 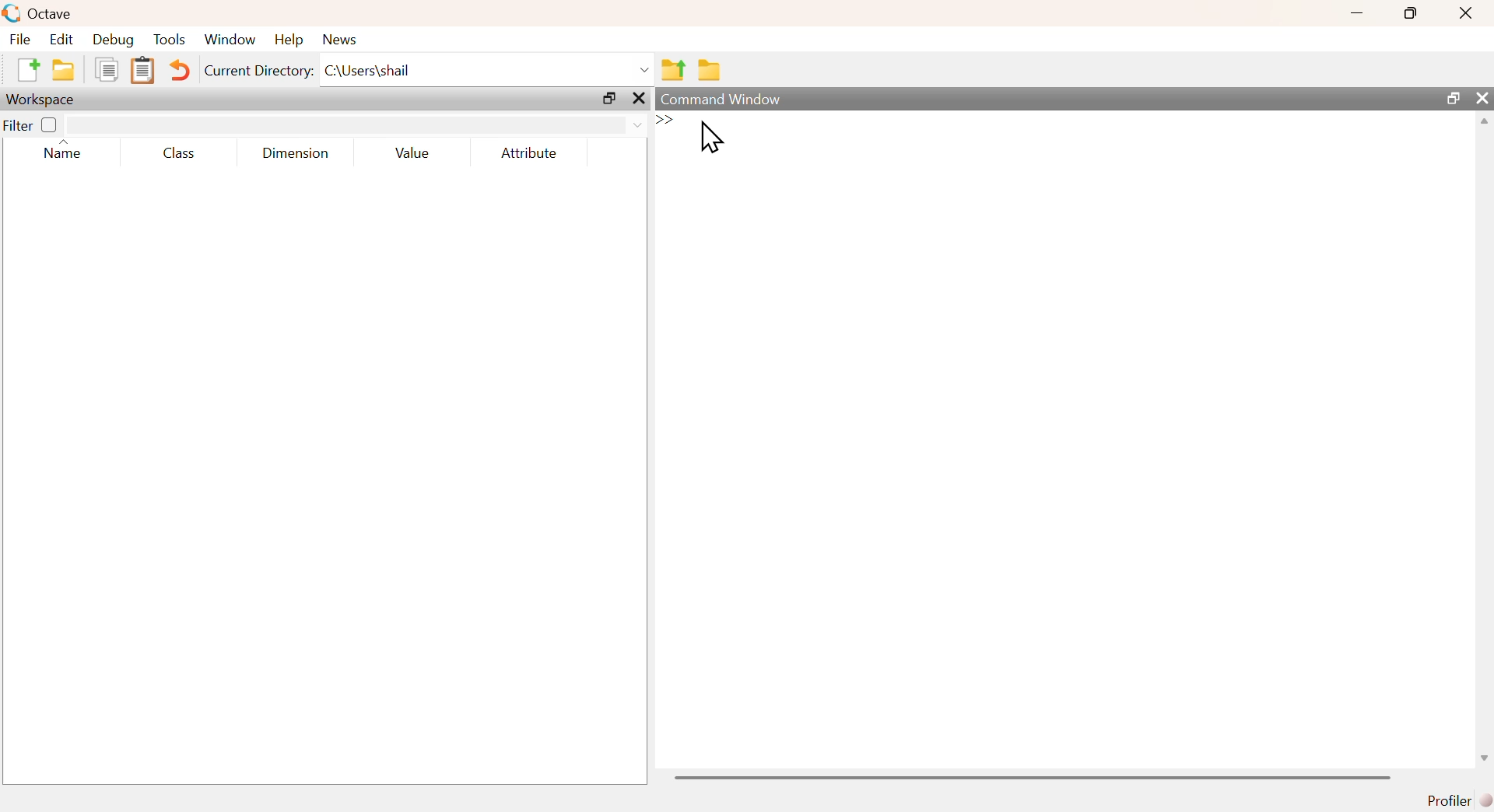 I want to click on dimension, so click(x=300, y=156).